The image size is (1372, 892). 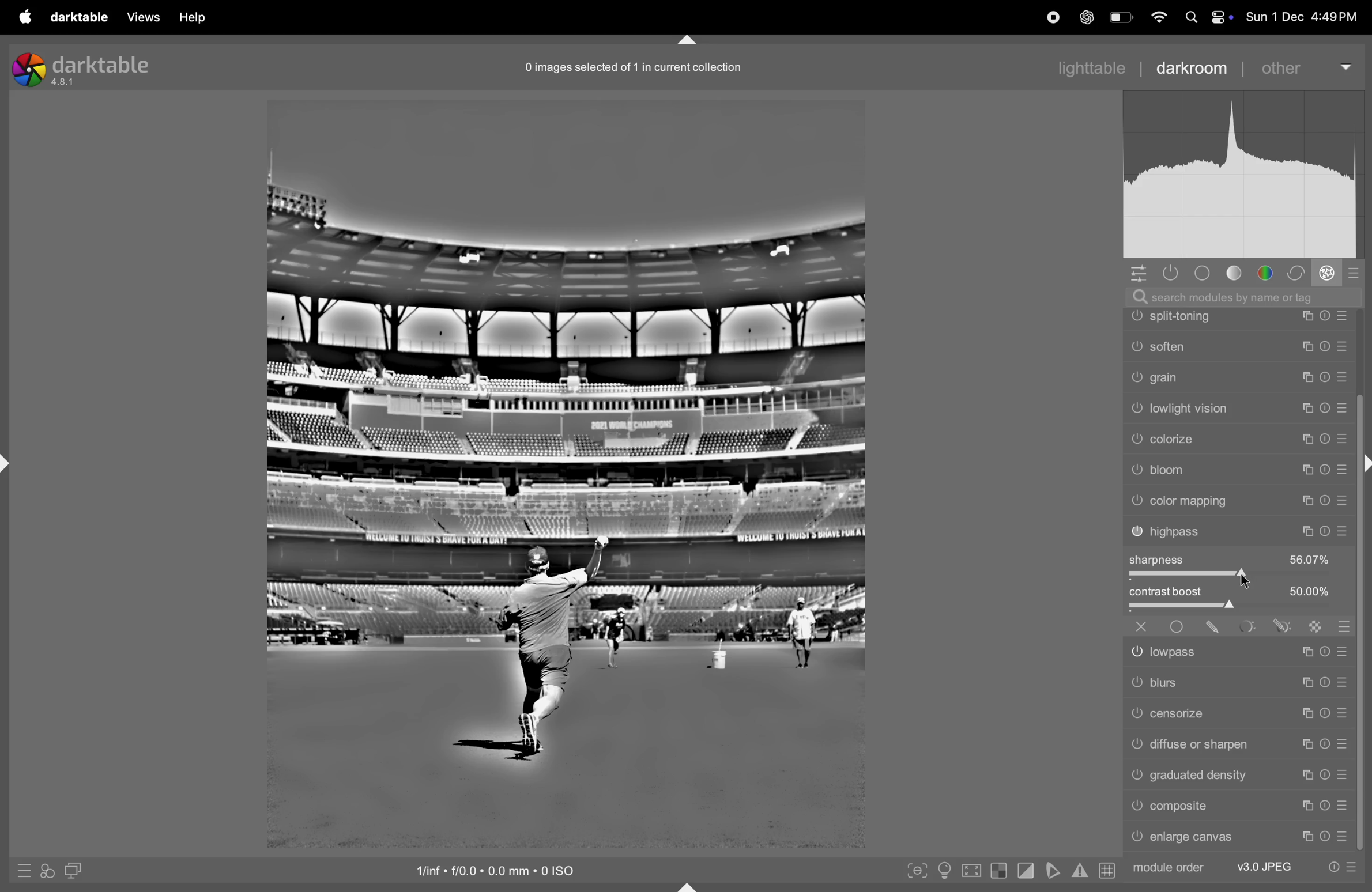 What do you see at coordinates (1239, 619) in the screenshot?
I see `highpass` at bounding box center [1239, 619].